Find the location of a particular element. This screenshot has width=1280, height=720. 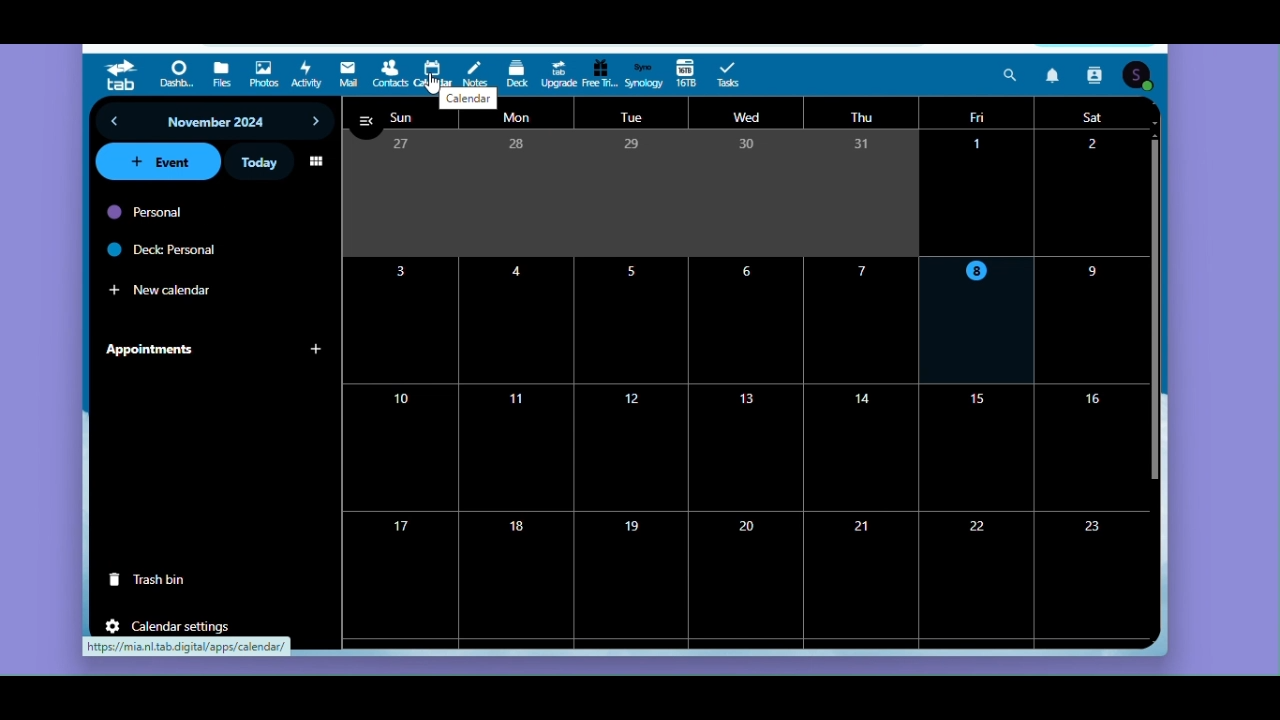

Trash Bin is located at coordinates (157, 582).